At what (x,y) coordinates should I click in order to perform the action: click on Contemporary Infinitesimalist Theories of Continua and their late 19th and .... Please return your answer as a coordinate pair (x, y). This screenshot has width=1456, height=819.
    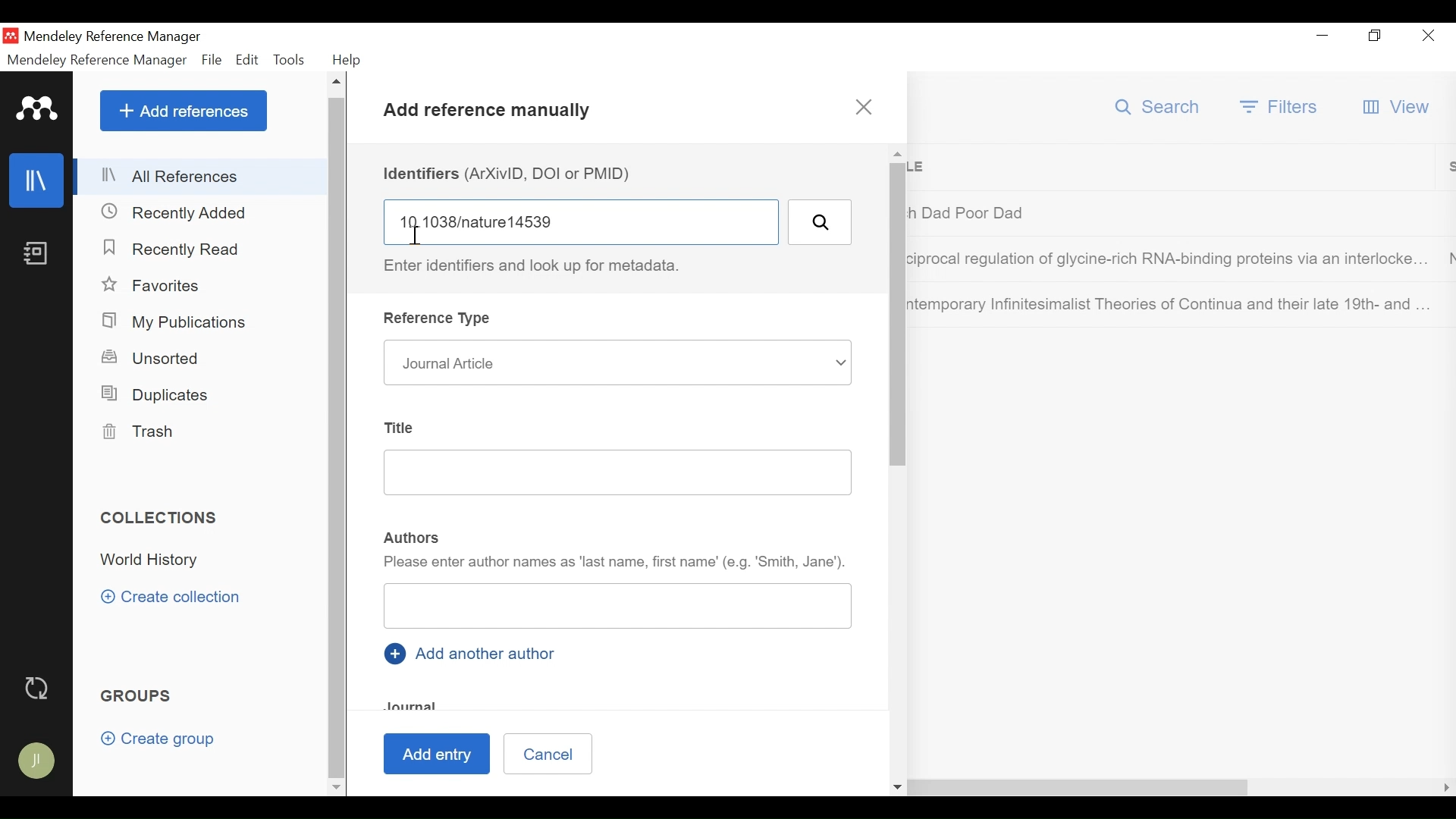
    Looking at the image, I should click on (1171, 304).